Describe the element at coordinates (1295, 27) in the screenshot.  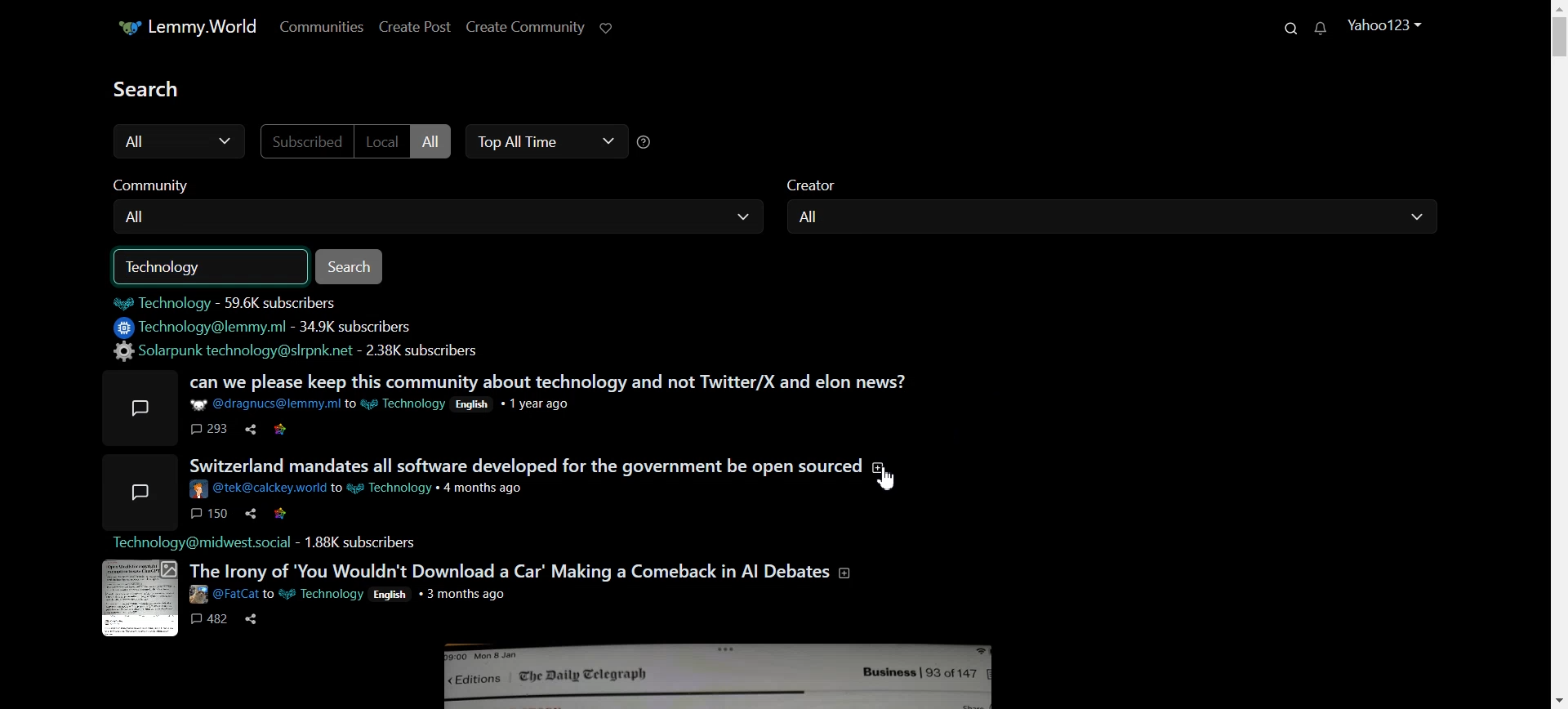
I see `Search` at that location.